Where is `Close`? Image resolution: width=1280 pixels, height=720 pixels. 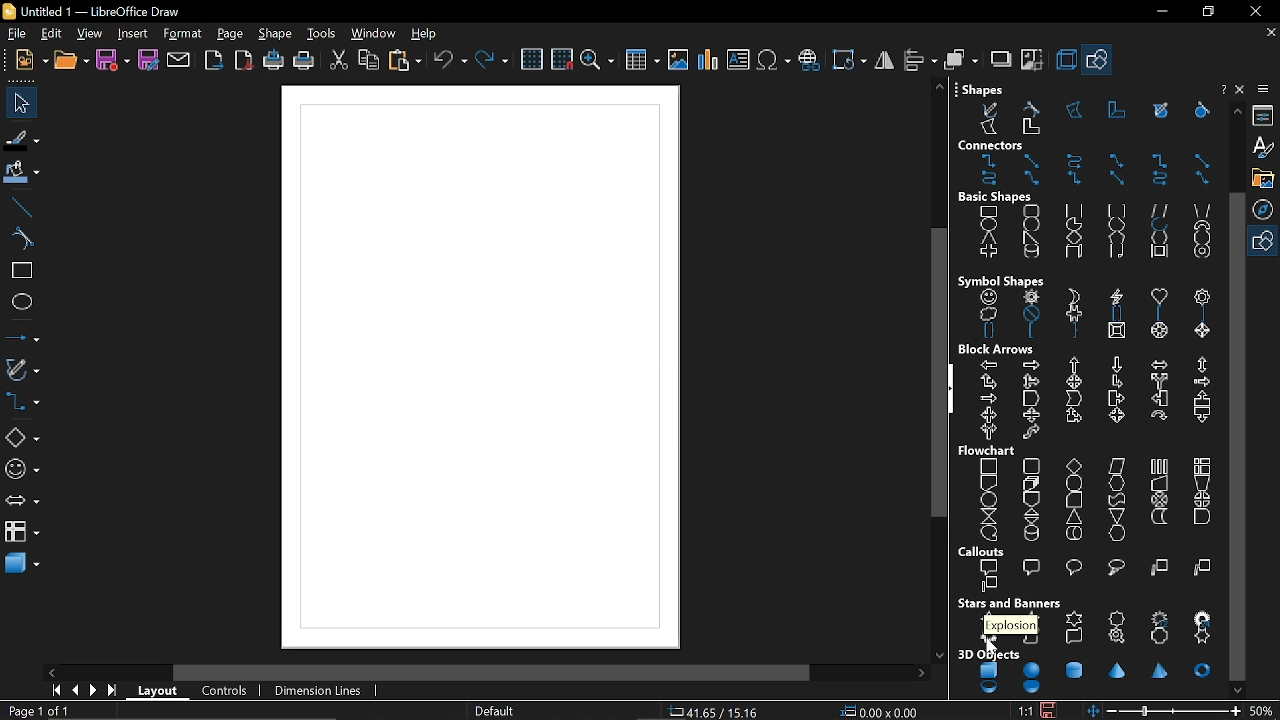
Close is located at coordinates (1221, 89).